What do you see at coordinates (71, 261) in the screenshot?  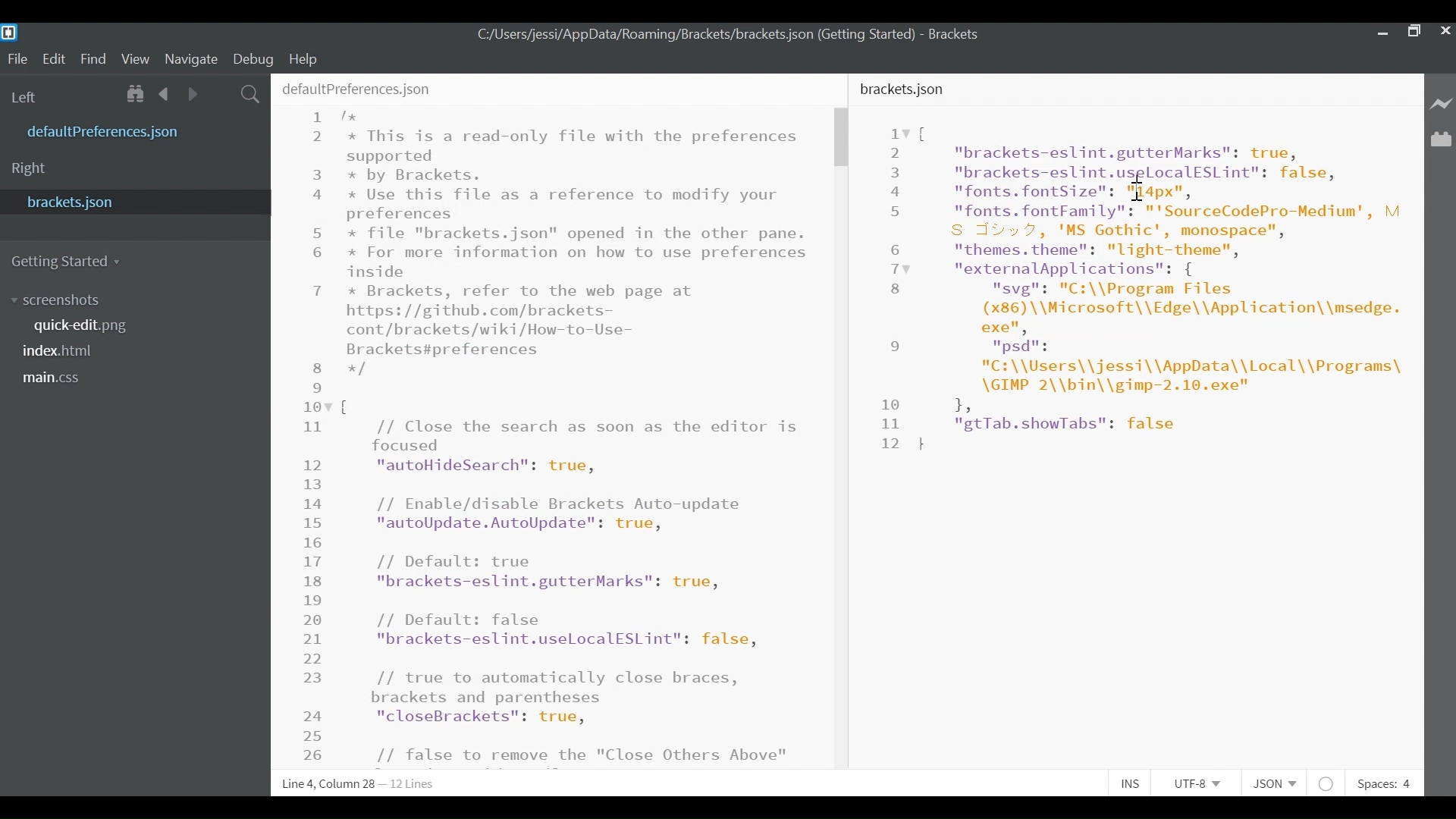 I see `Getting Started` at bounding box center [71, 261].